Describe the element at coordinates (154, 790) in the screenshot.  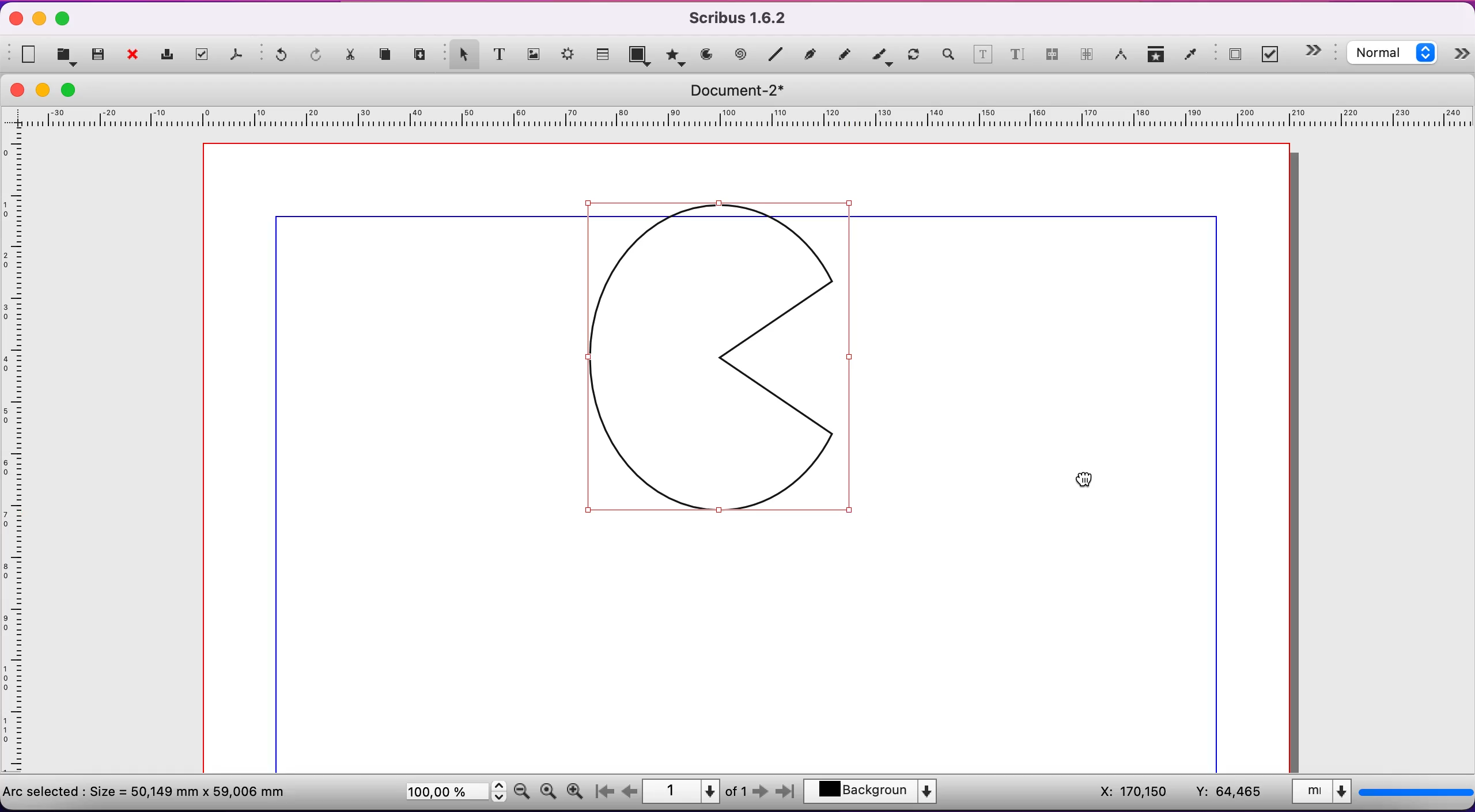
I see `arc selectes size` at that location.